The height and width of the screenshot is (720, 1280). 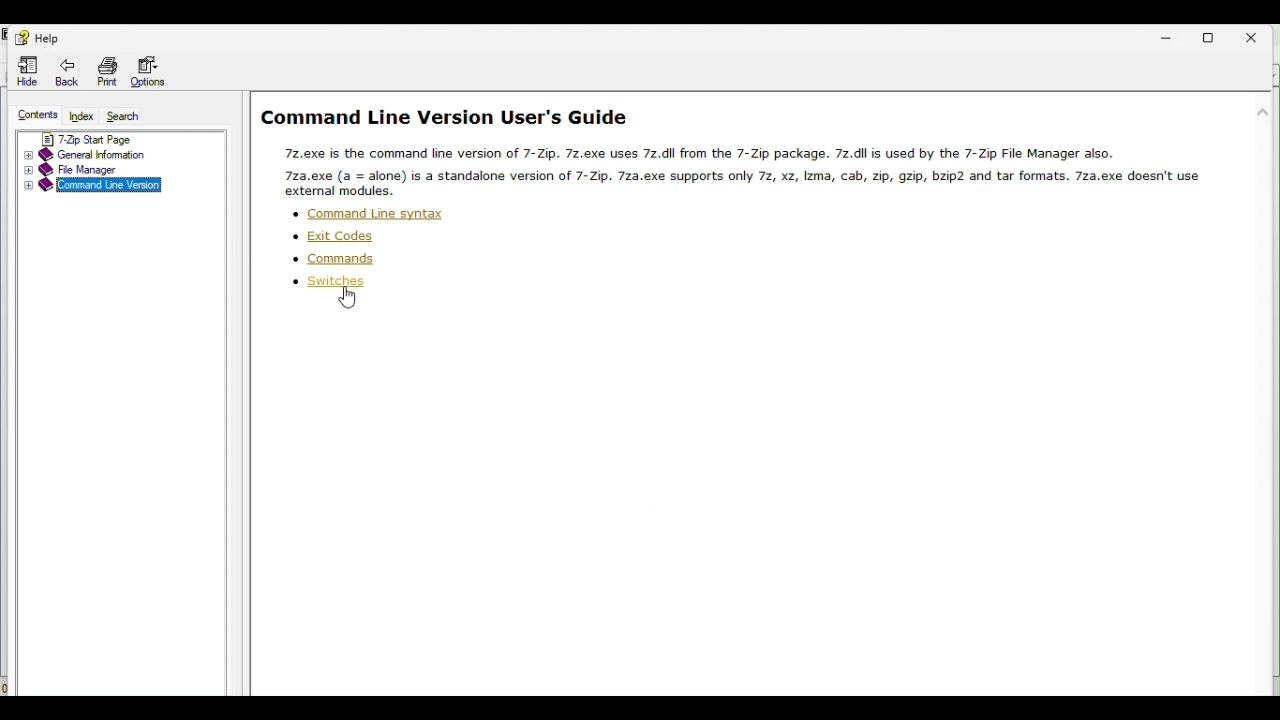 I want to click on Close, so click(x=1263, y=37).